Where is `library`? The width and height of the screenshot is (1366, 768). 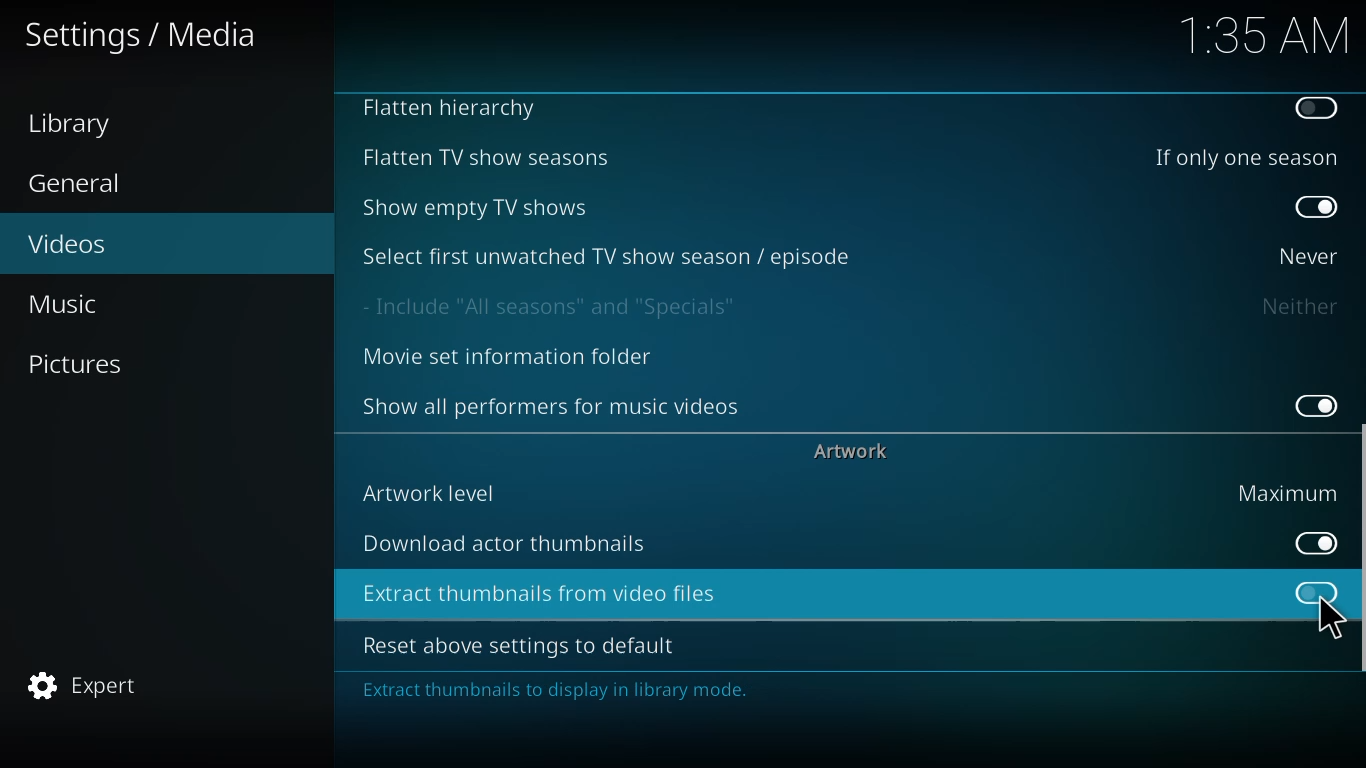 library is located at coordinates (77, 124).